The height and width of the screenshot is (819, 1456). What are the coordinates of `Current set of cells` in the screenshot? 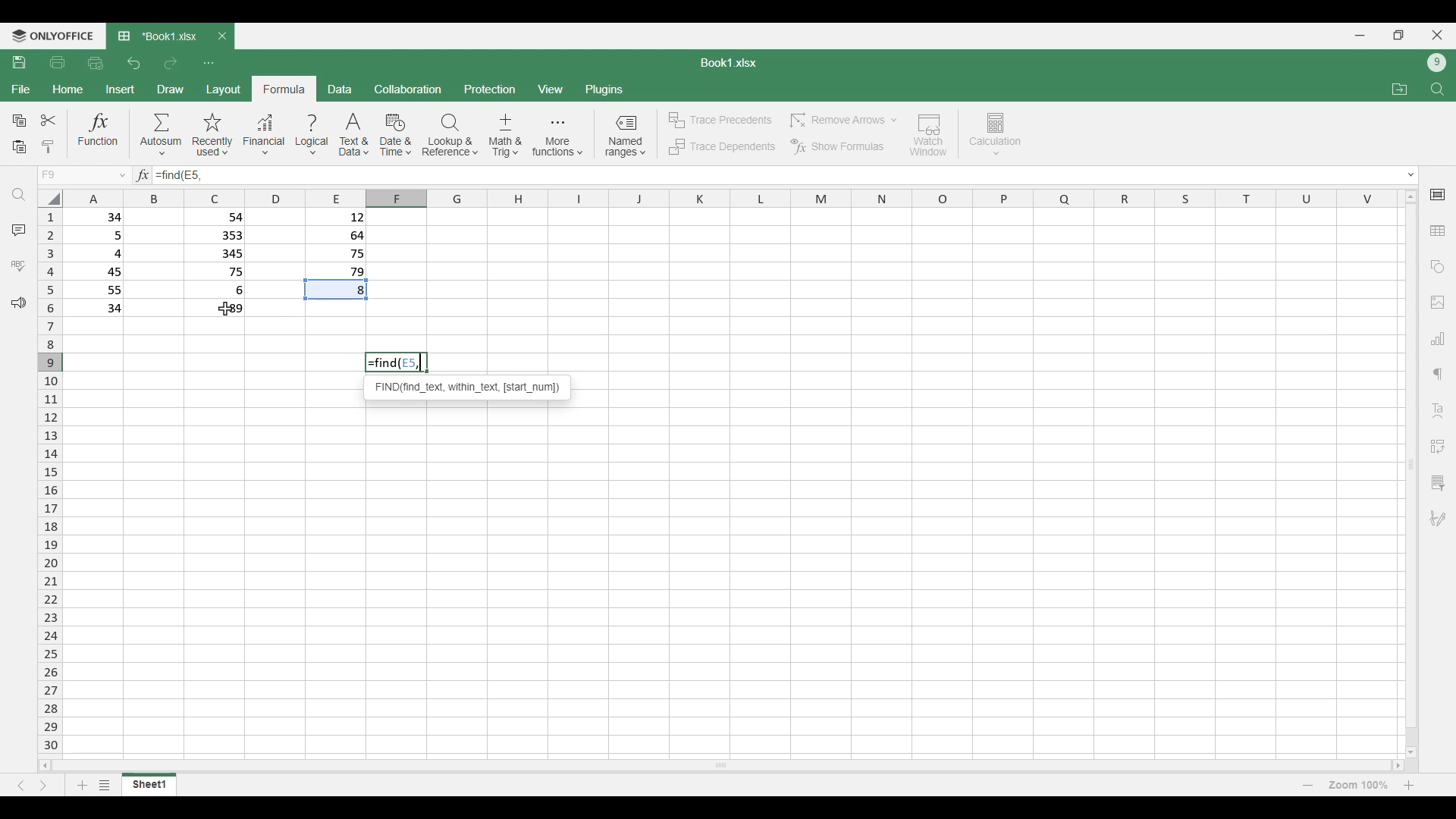 It's located at (733, 582).